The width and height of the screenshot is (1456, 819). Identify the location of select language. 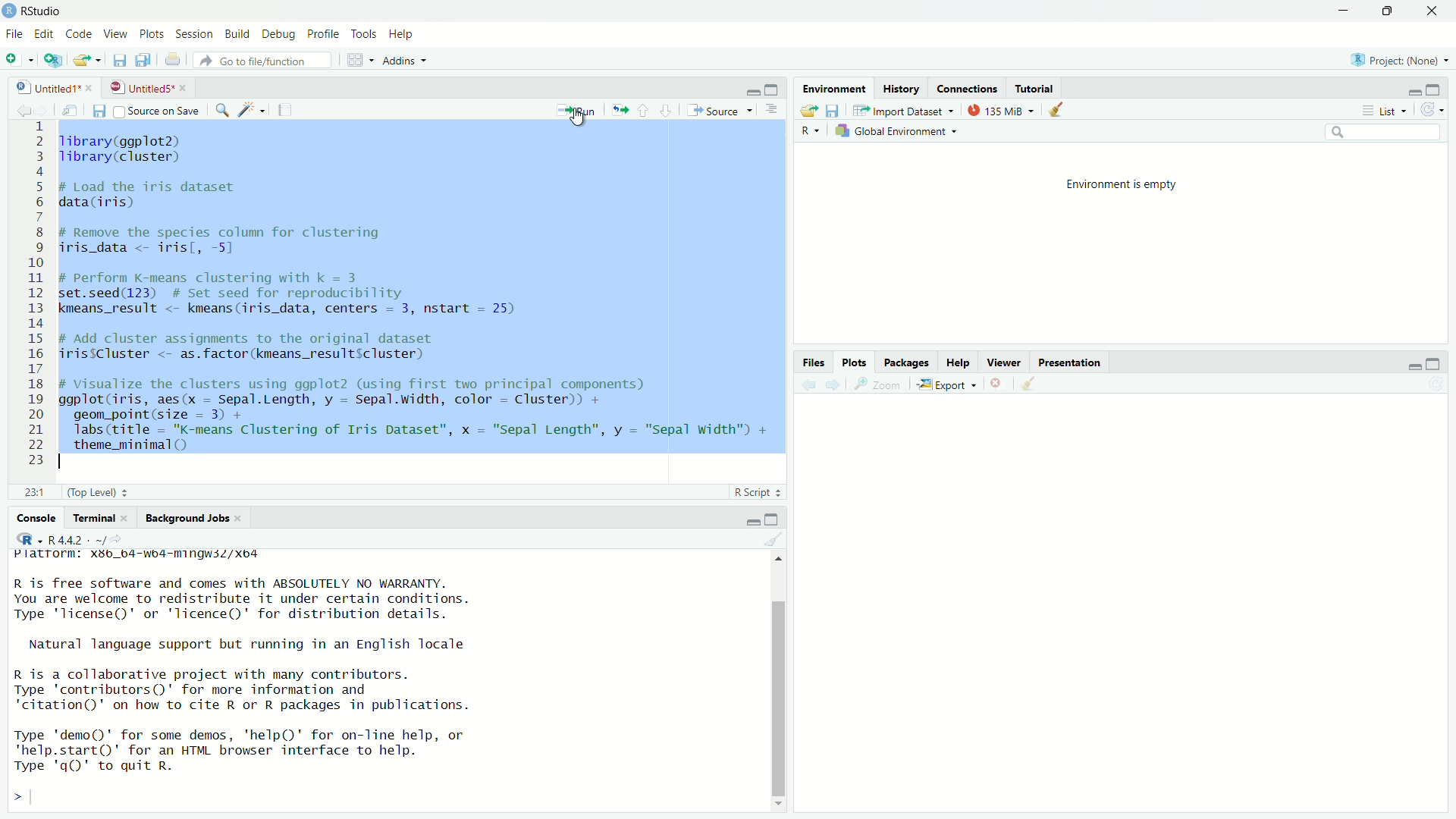
(23, 540).